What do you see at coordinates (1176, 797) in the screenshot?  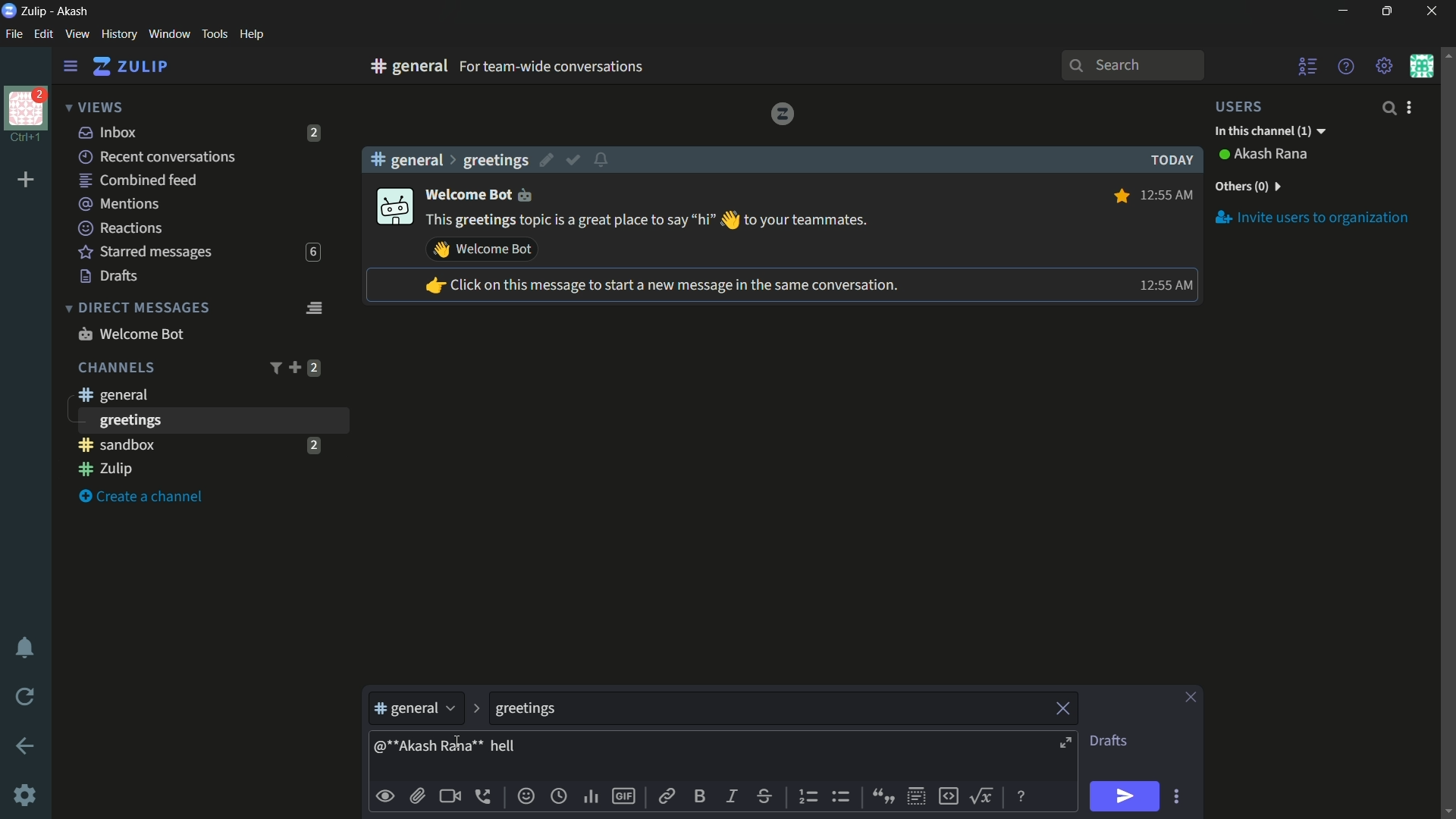 I see `send options` at bounding box center [1176, 797].